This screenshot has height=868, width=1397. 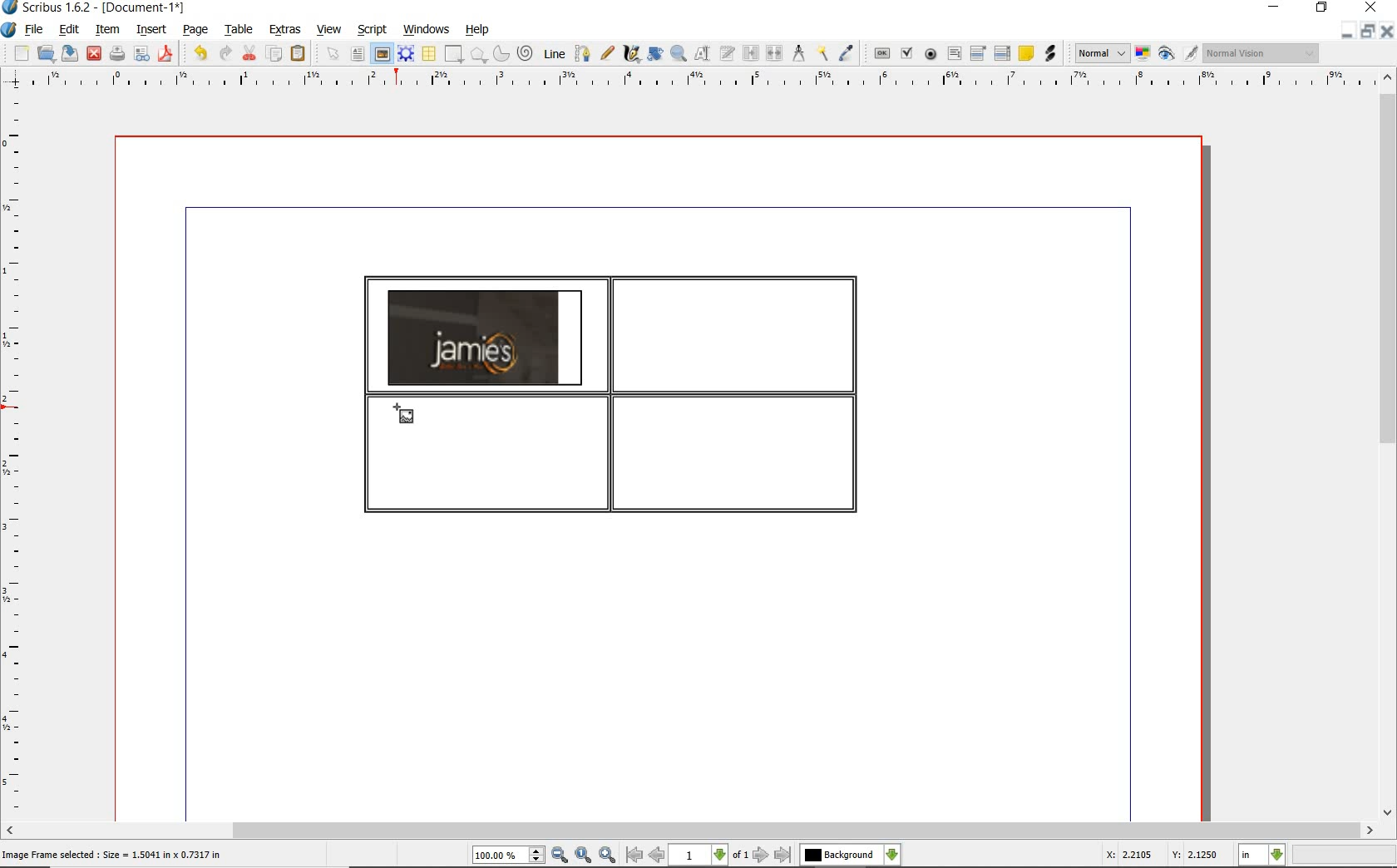 I want to click on go to last page, so click(x=784, y=855).